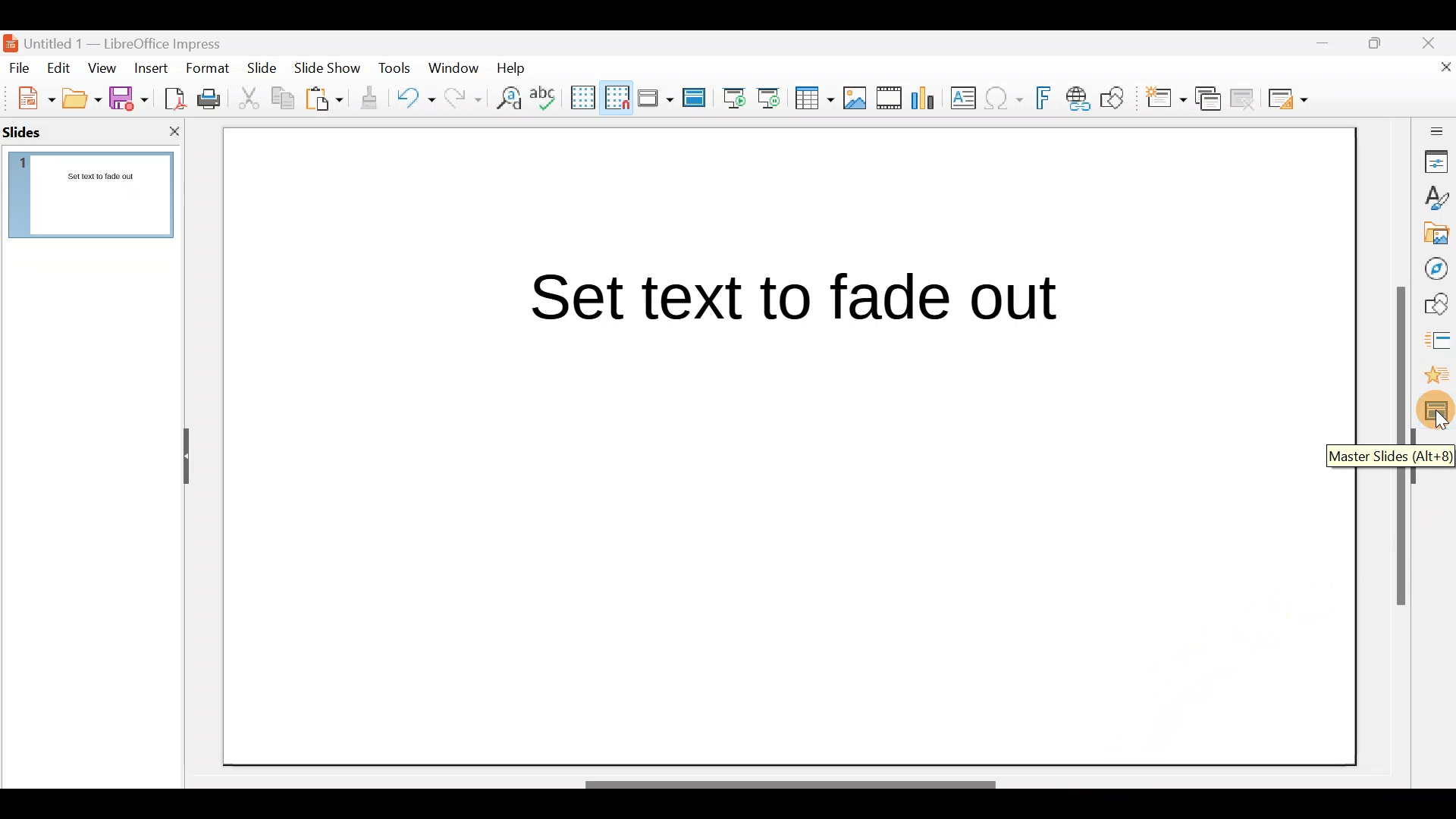  I want to click on Insert, so click(150, 68).